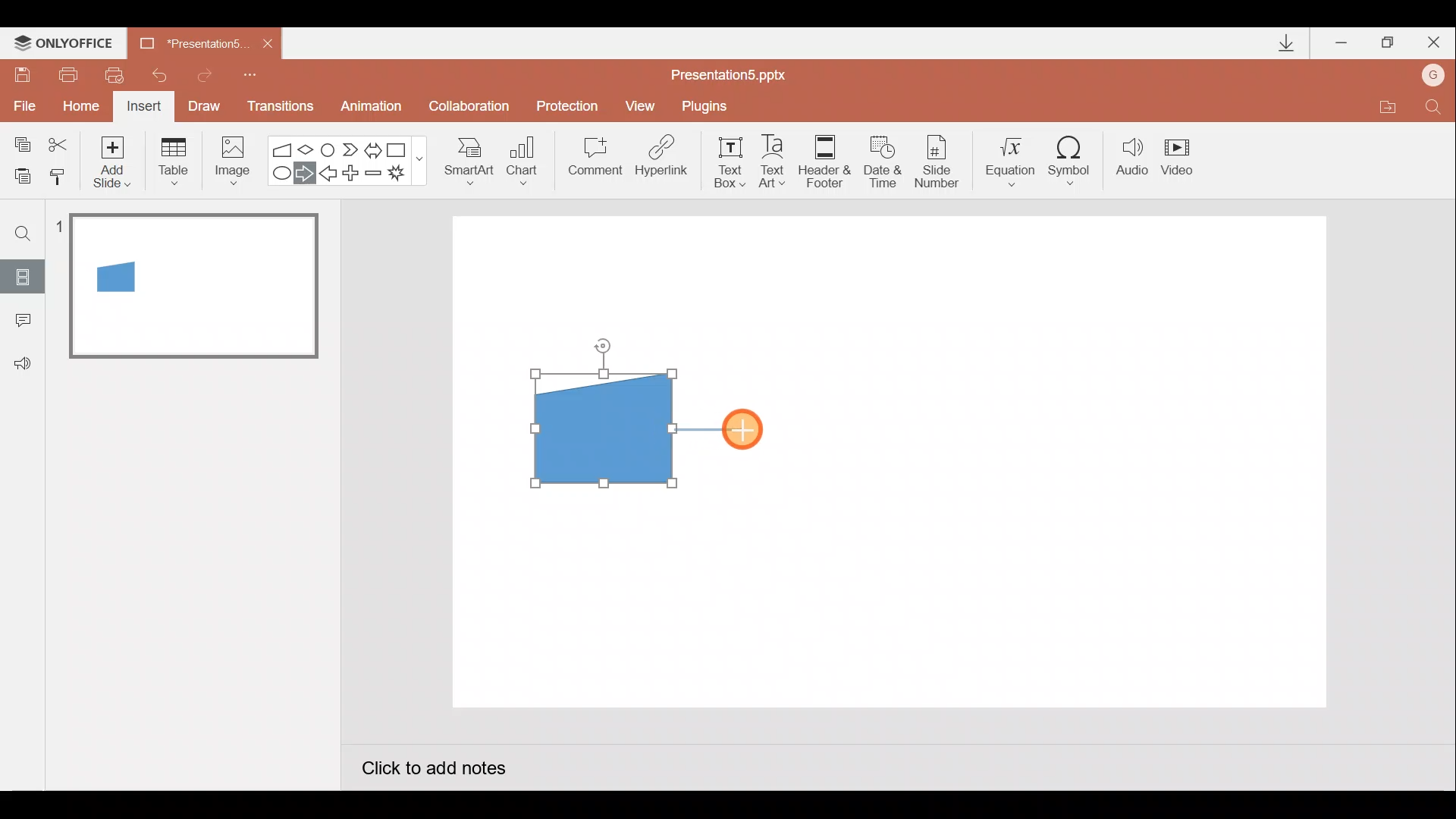 This screenshot has width=1456, height=819. I want to click on Date & time, so click(881, 158).